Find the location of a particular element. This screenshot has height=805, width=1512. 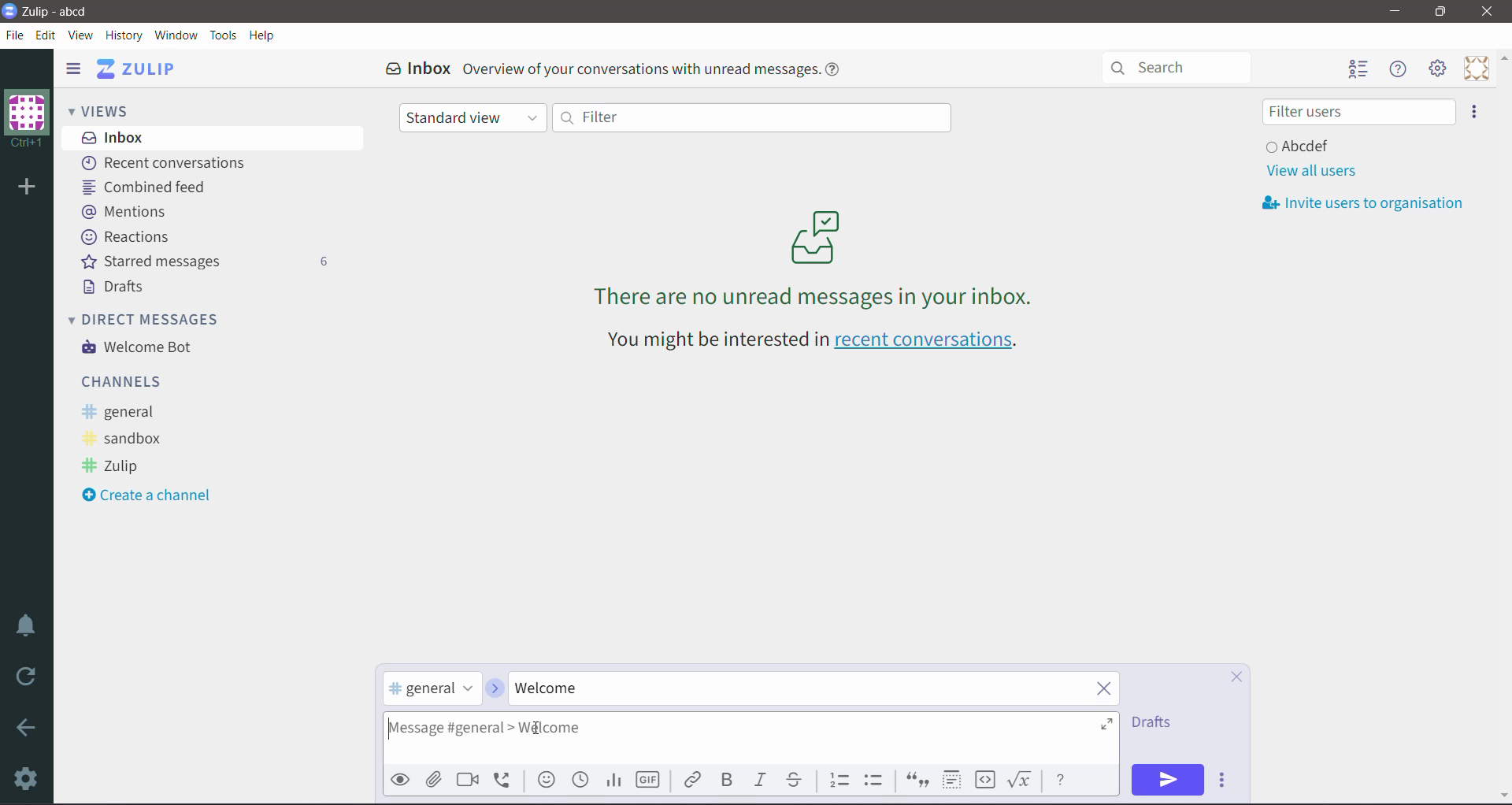

Quote is located at coordinates (916, 781).